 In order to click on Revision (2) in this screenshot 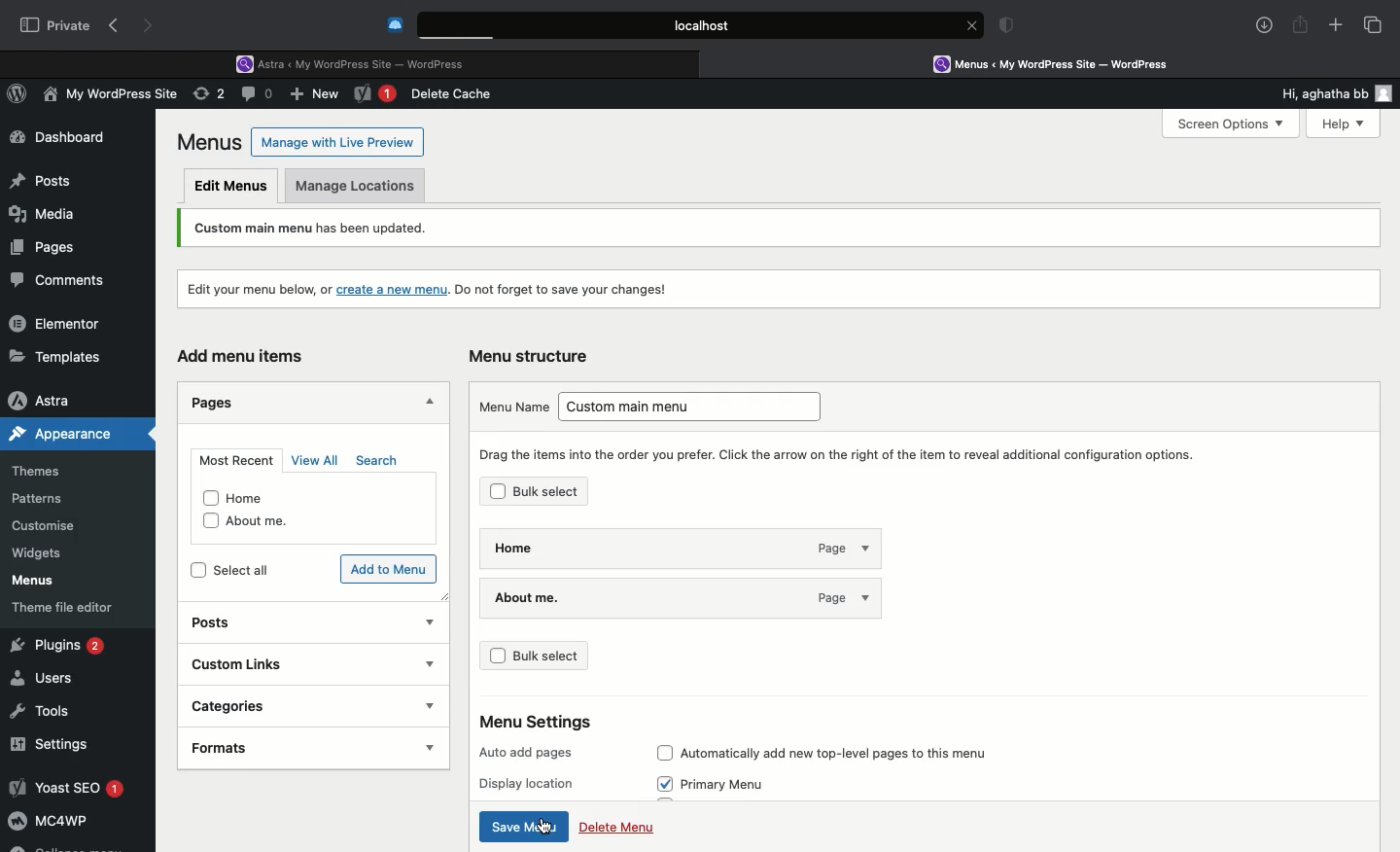, I will do `click(206, 96)`.